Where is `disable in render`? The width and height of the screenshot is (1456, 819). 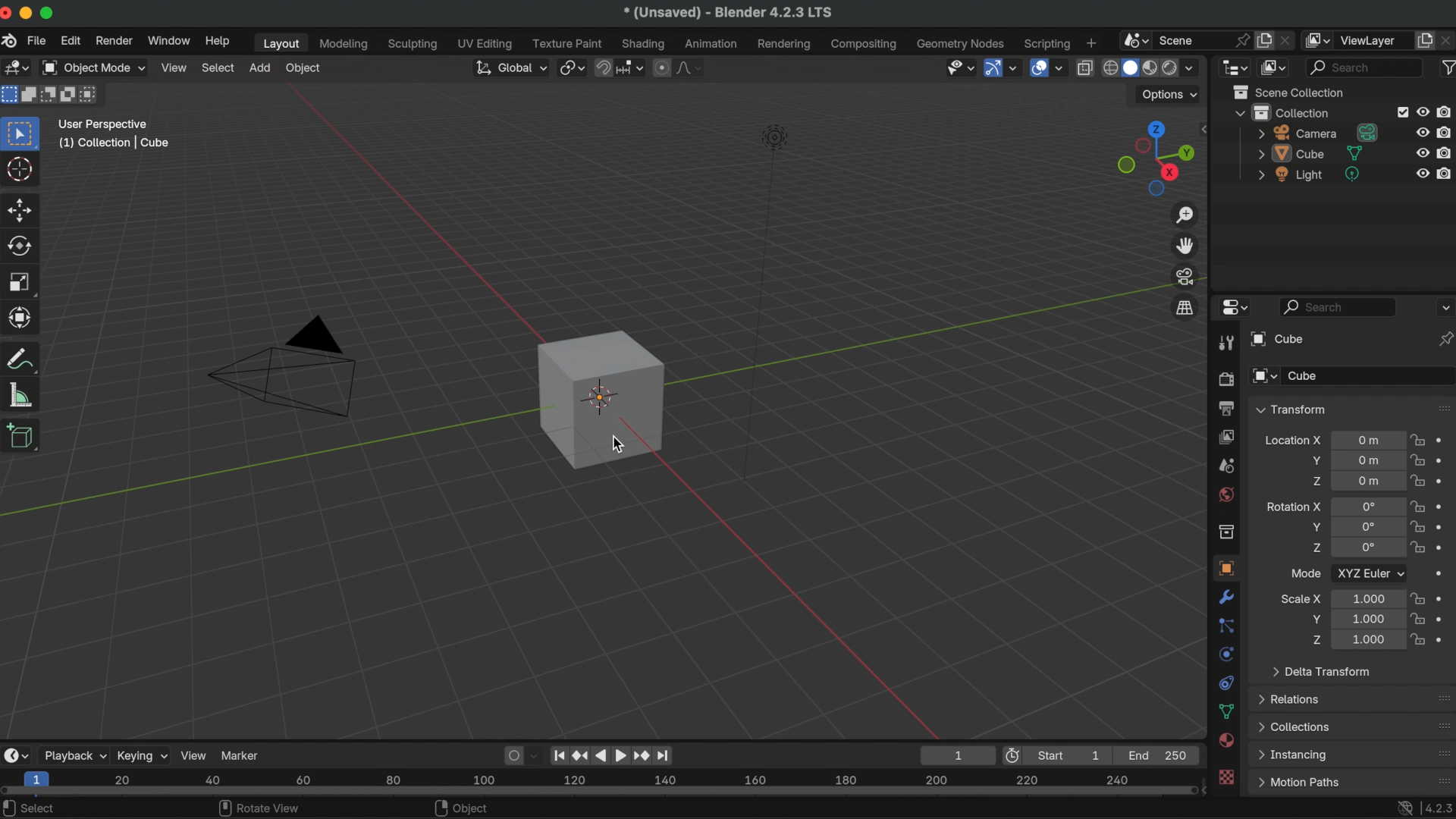 disable in render is located at coordinates (1445, 131).